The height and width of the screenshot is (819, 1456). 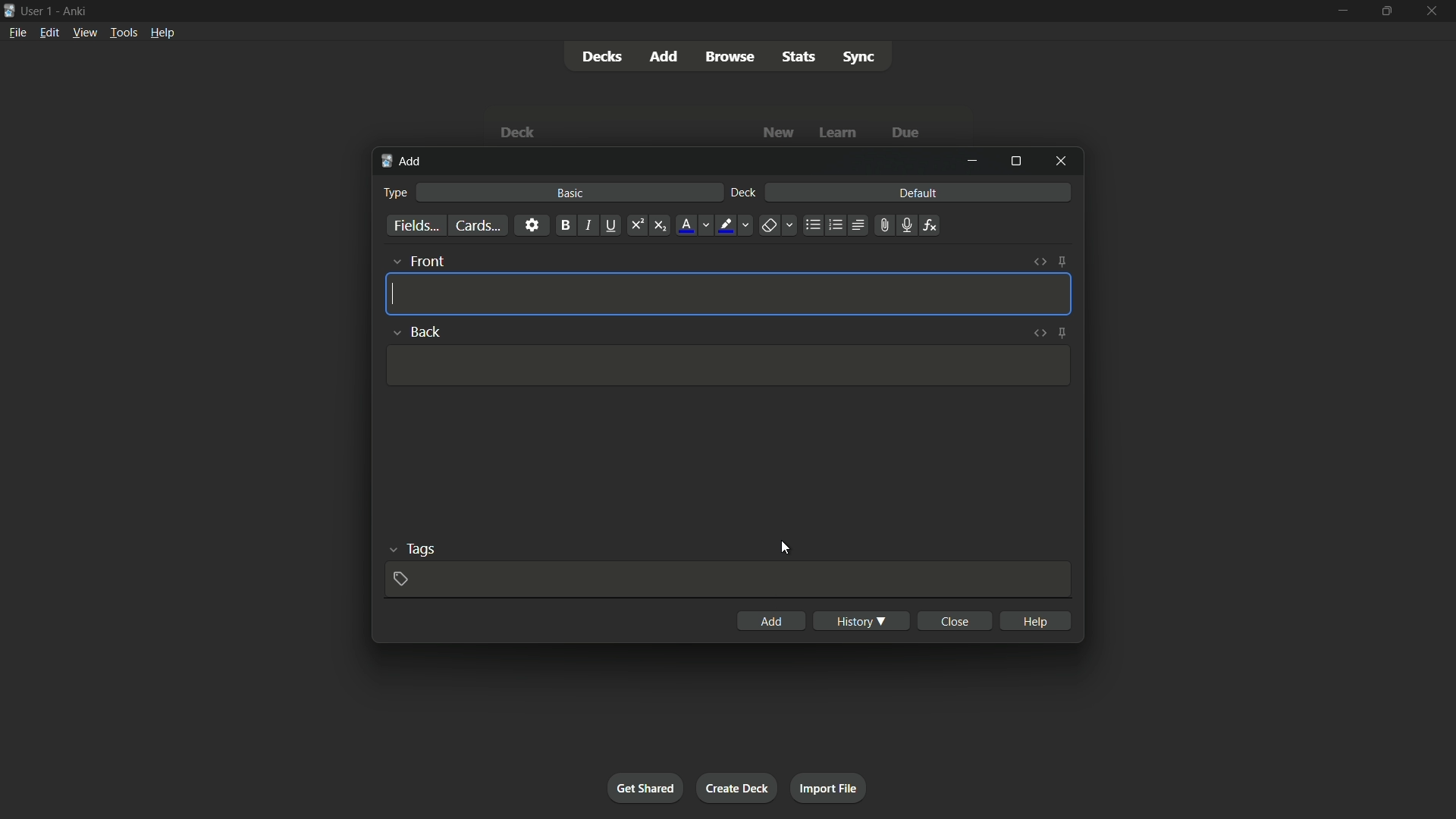 I want to click on get shared, so click(x=645, y=789).